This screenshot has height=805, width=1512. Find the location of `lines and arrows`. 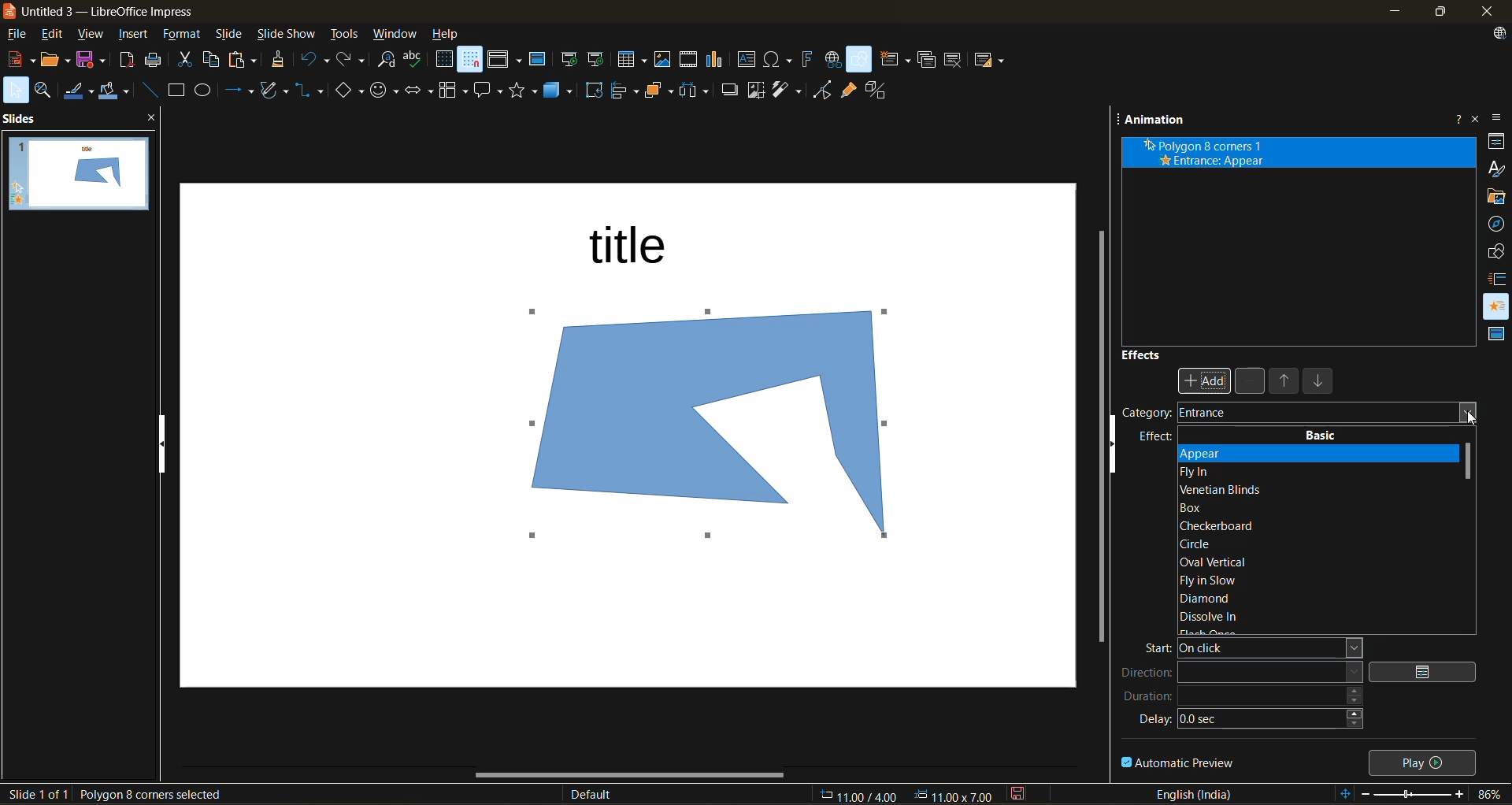

lines and arrows is located at coordinates (236, 91).